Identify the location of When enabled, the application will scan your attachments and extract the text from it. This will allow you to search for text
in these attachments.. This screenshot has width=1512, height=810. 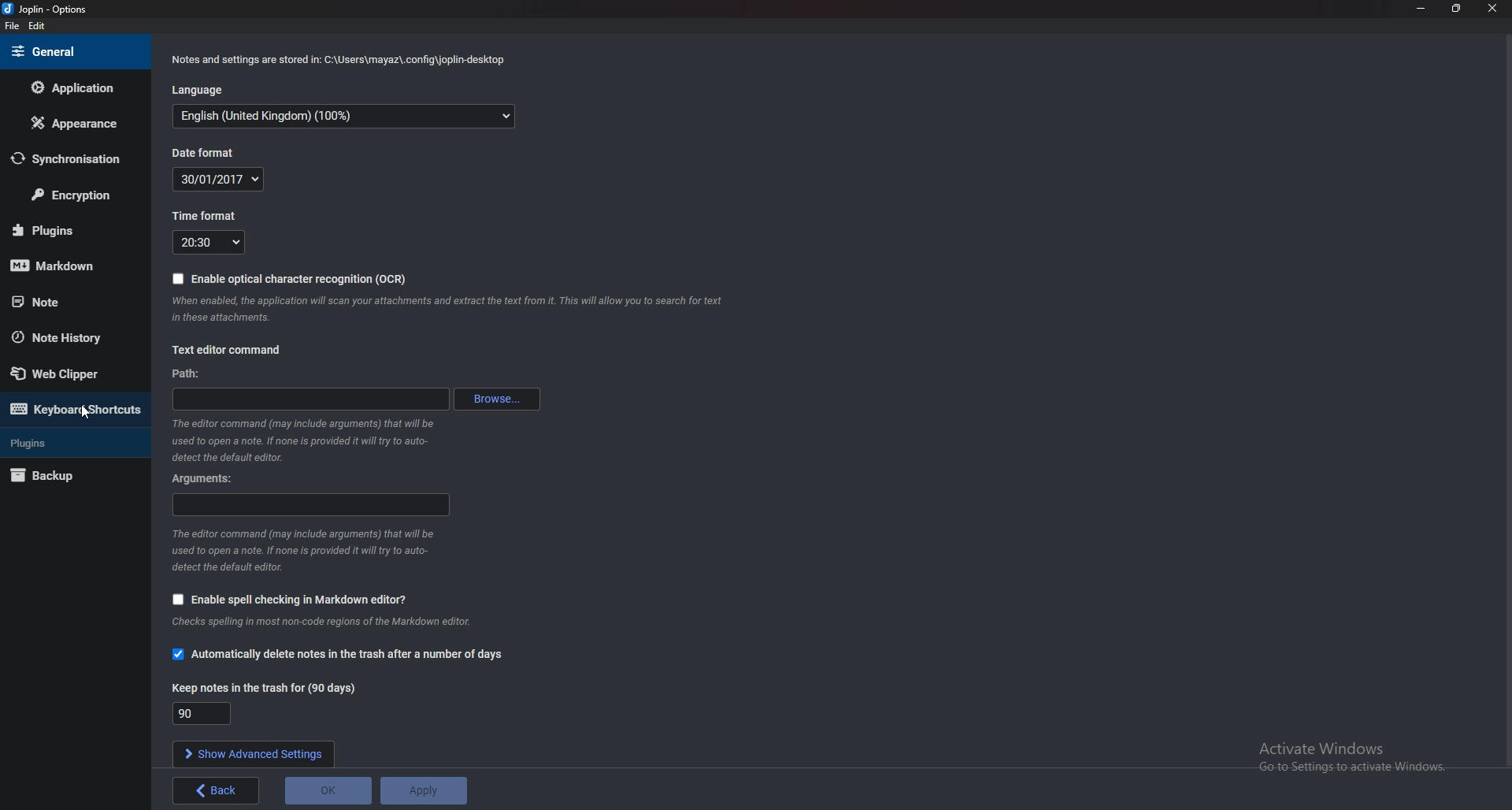
(448, 310).